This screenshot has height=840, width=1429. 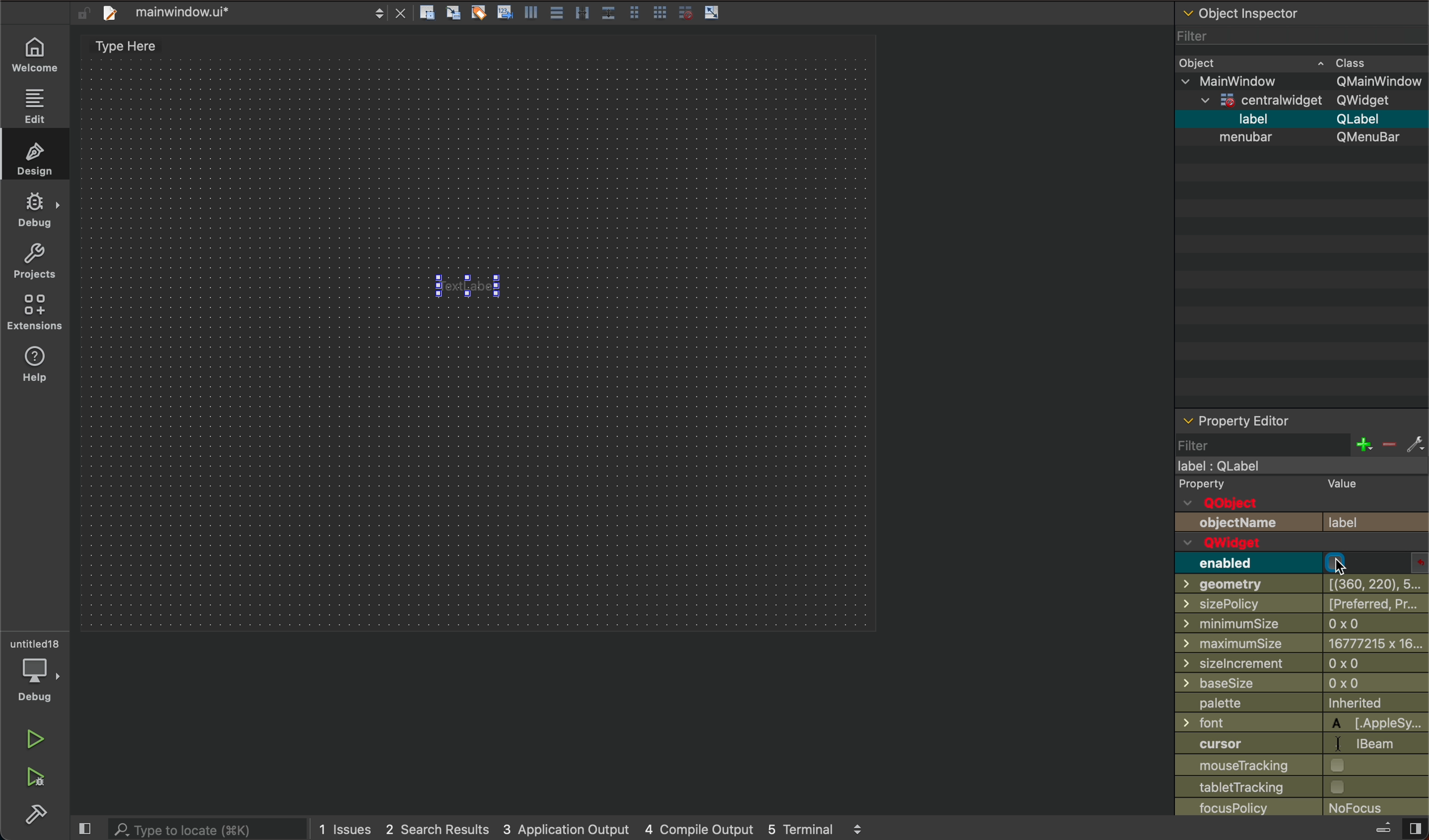 I want to click on help, so click(x=35, y=365).